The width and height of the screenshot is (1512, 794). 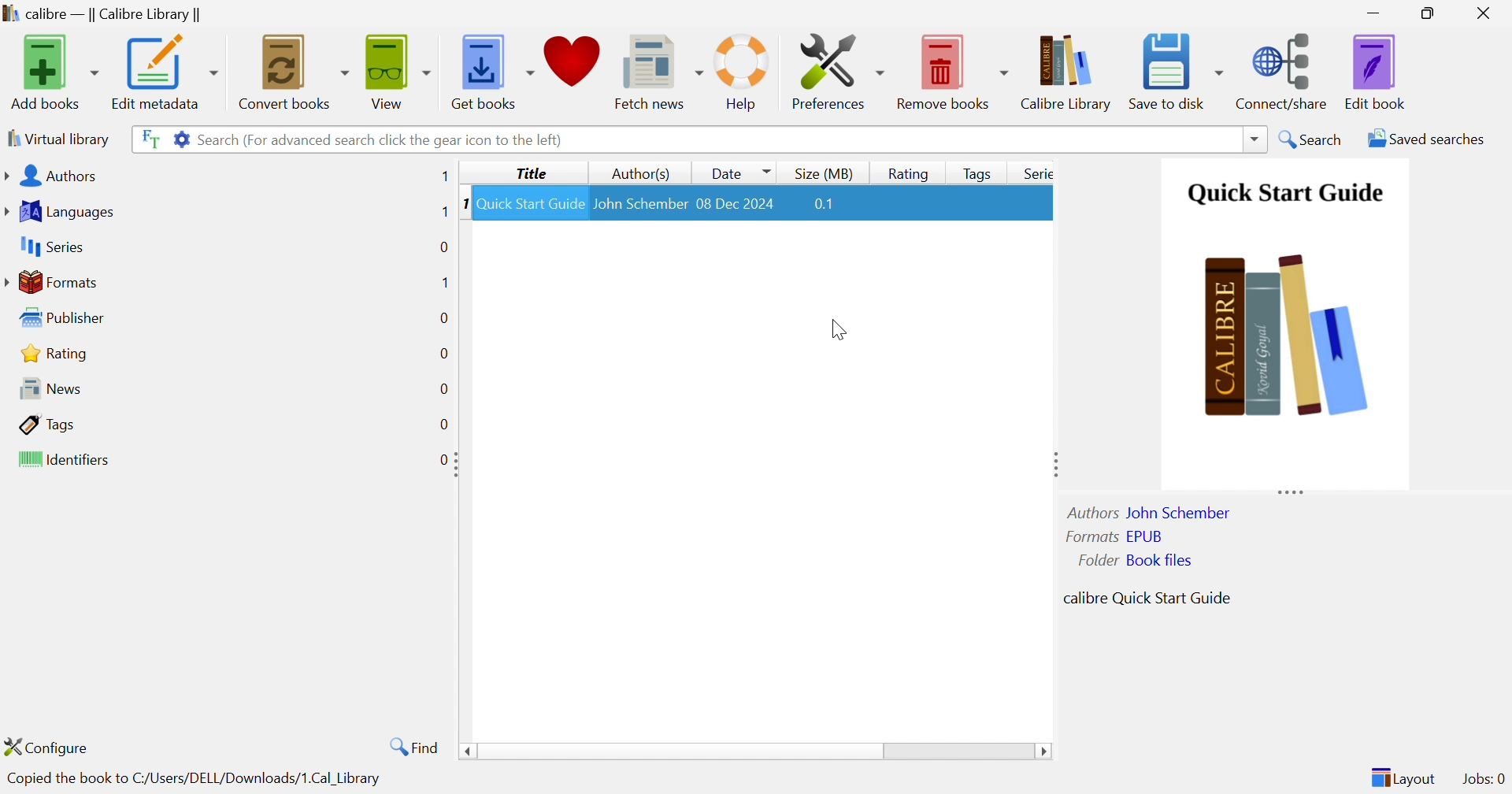 What do you see at coordinates (444, 212) in the screenshot?
I see `1` at bounding box center [444, 212].